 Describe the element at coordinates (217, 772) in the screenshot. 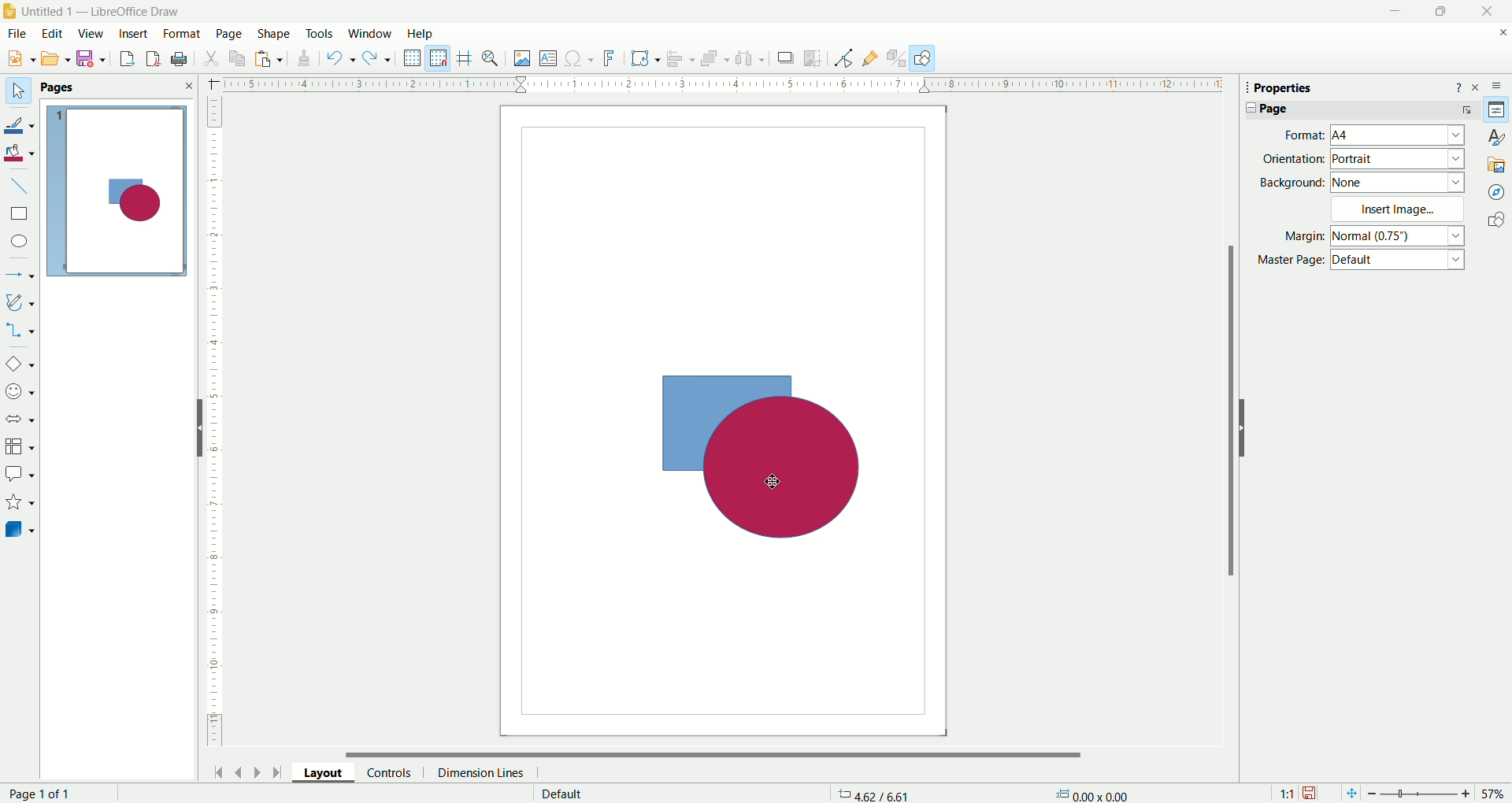

I see `to first page` at that location.